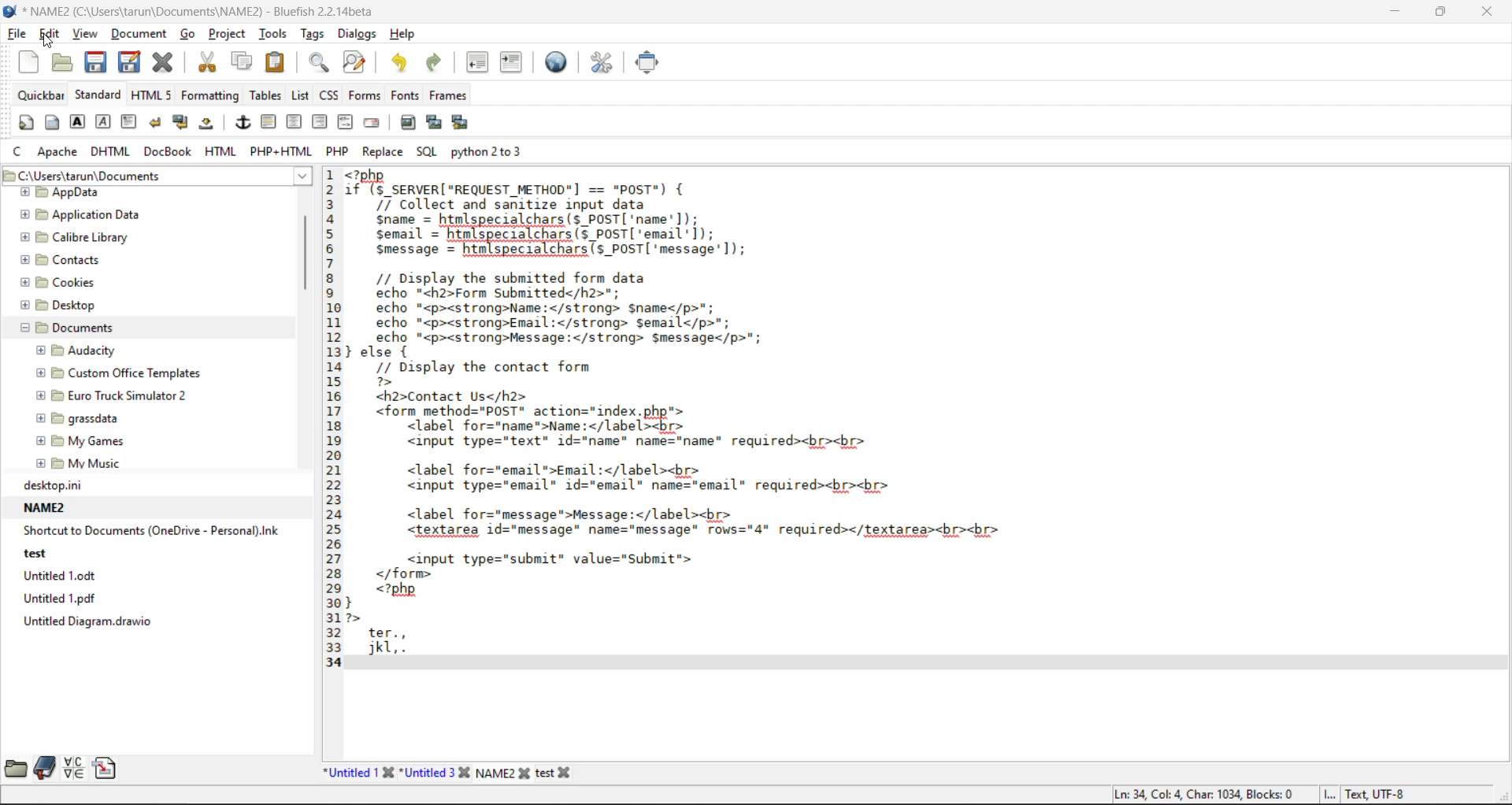  Describe the element at coordinates (361, 61) in the screenshot. I see `find and replace` at that location.